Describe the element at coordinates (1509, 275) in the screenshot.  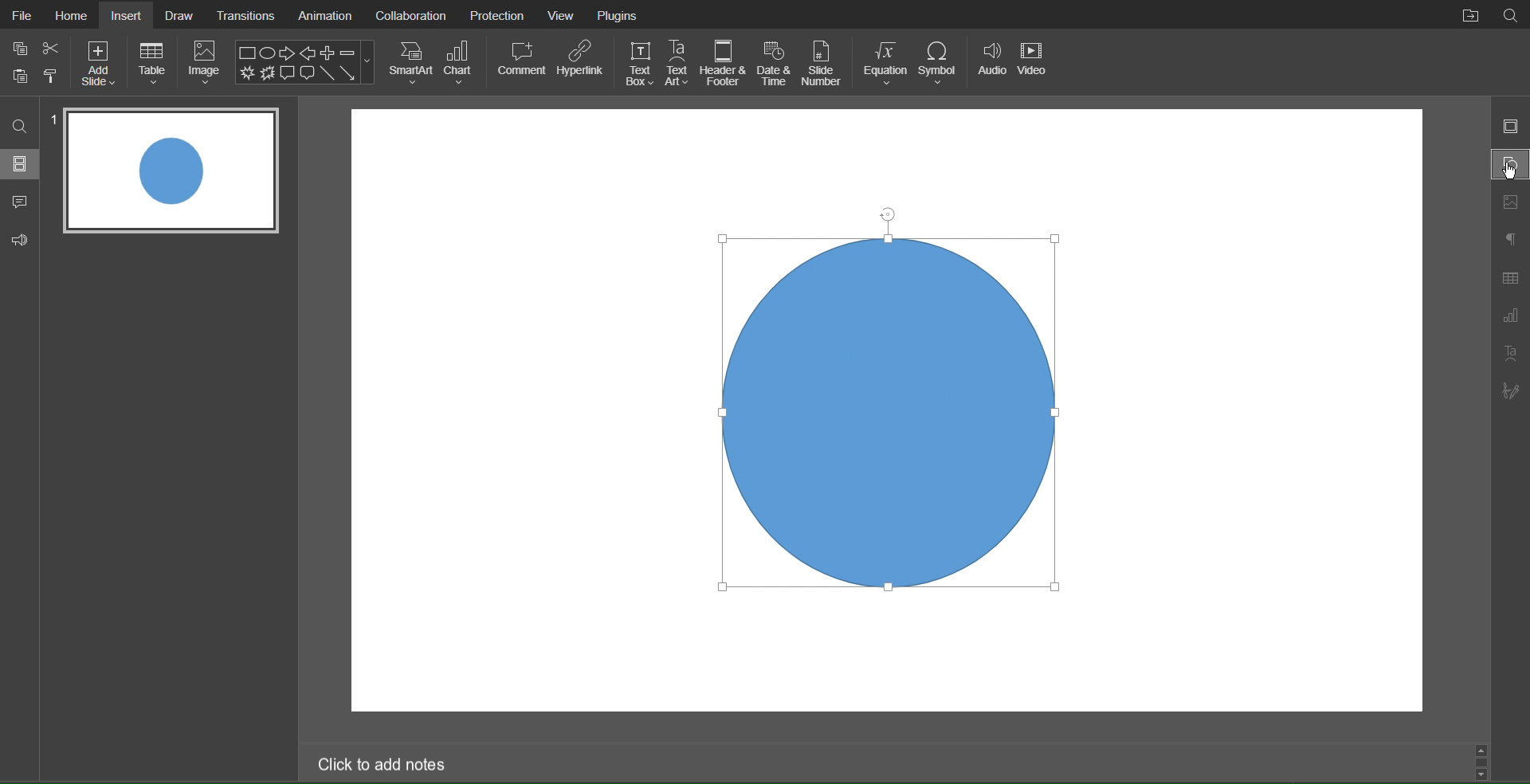
I see `Table Settings` at that location.